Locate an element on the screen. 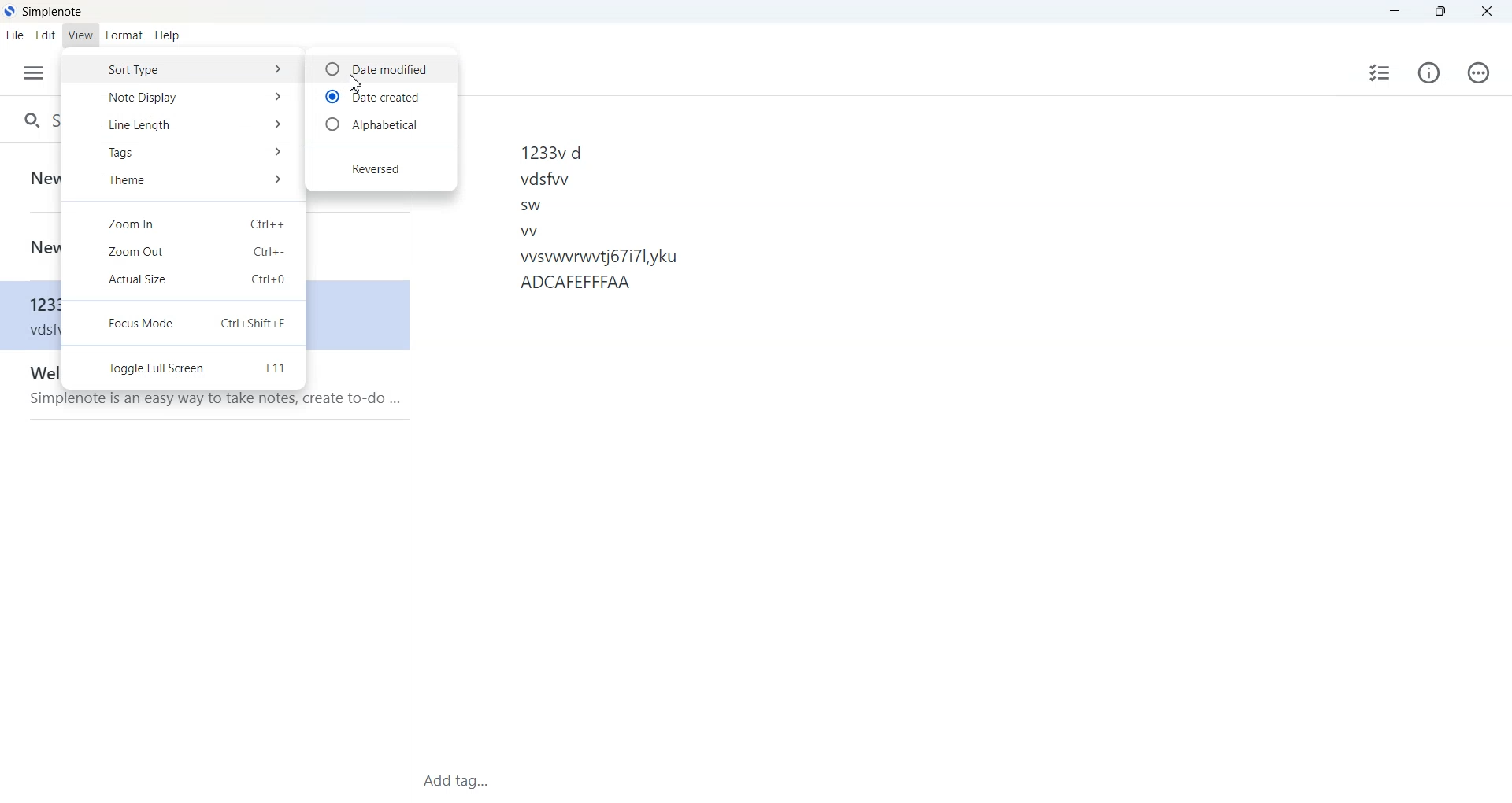 This screenshot has width=1512, height=803. Cursor is located at coordinates (354, 84).